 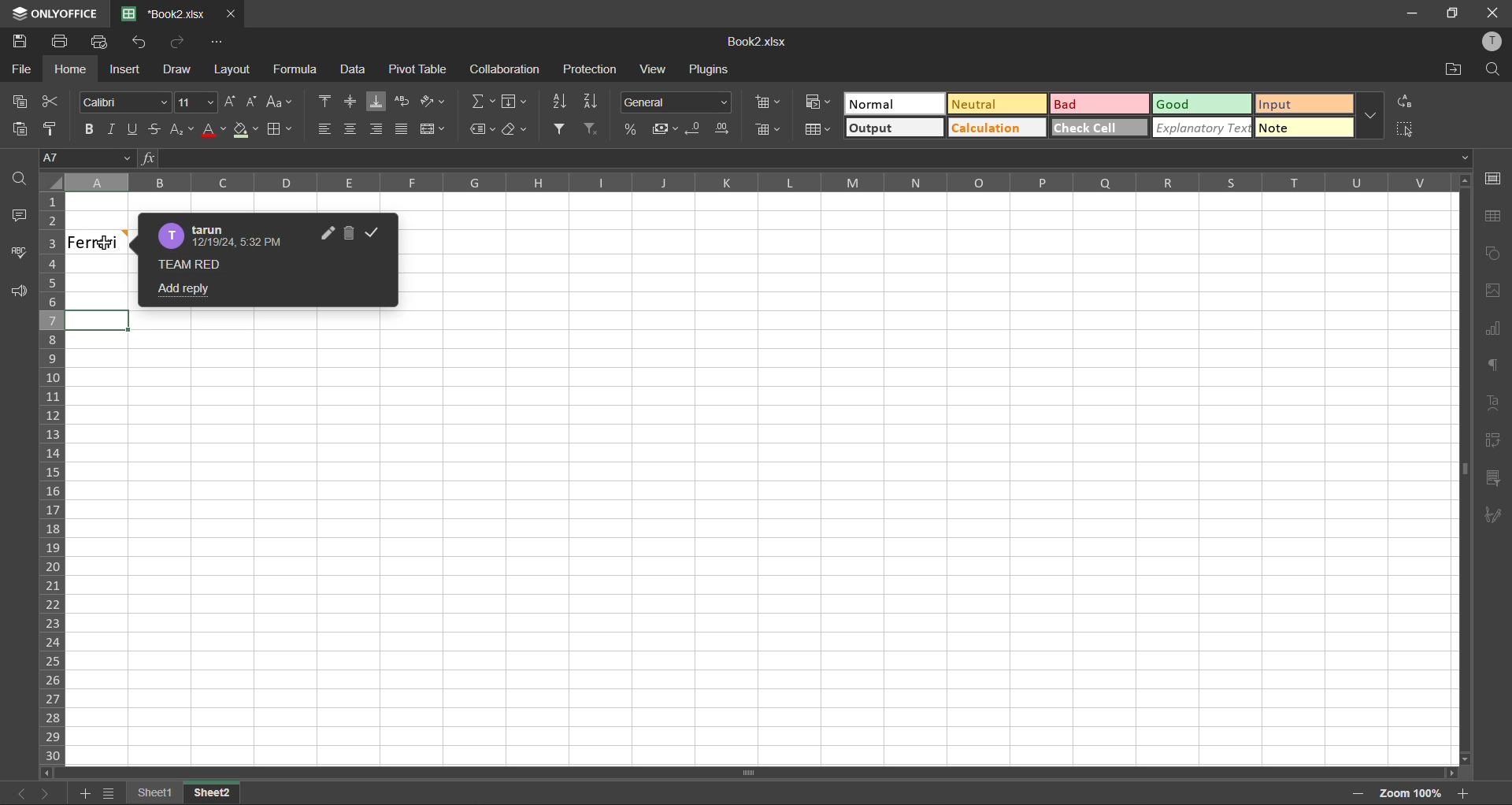 What do you see at coordinates (804, 158) in the screenshot?
I see `formula bar` at bounding box center [804, 158].